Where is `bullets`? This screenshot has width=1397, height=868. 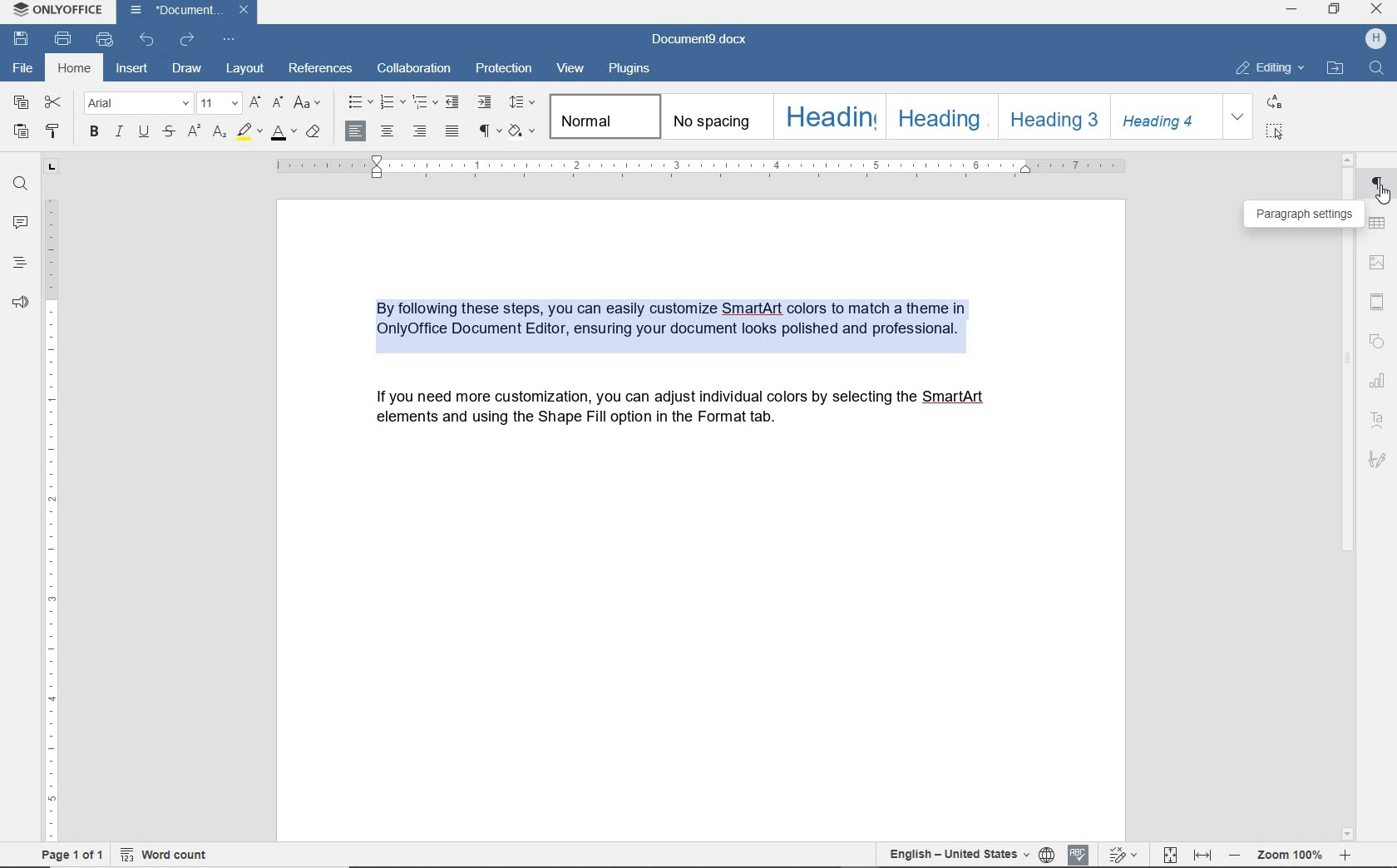 bullets is located at coordinates (358, 101).